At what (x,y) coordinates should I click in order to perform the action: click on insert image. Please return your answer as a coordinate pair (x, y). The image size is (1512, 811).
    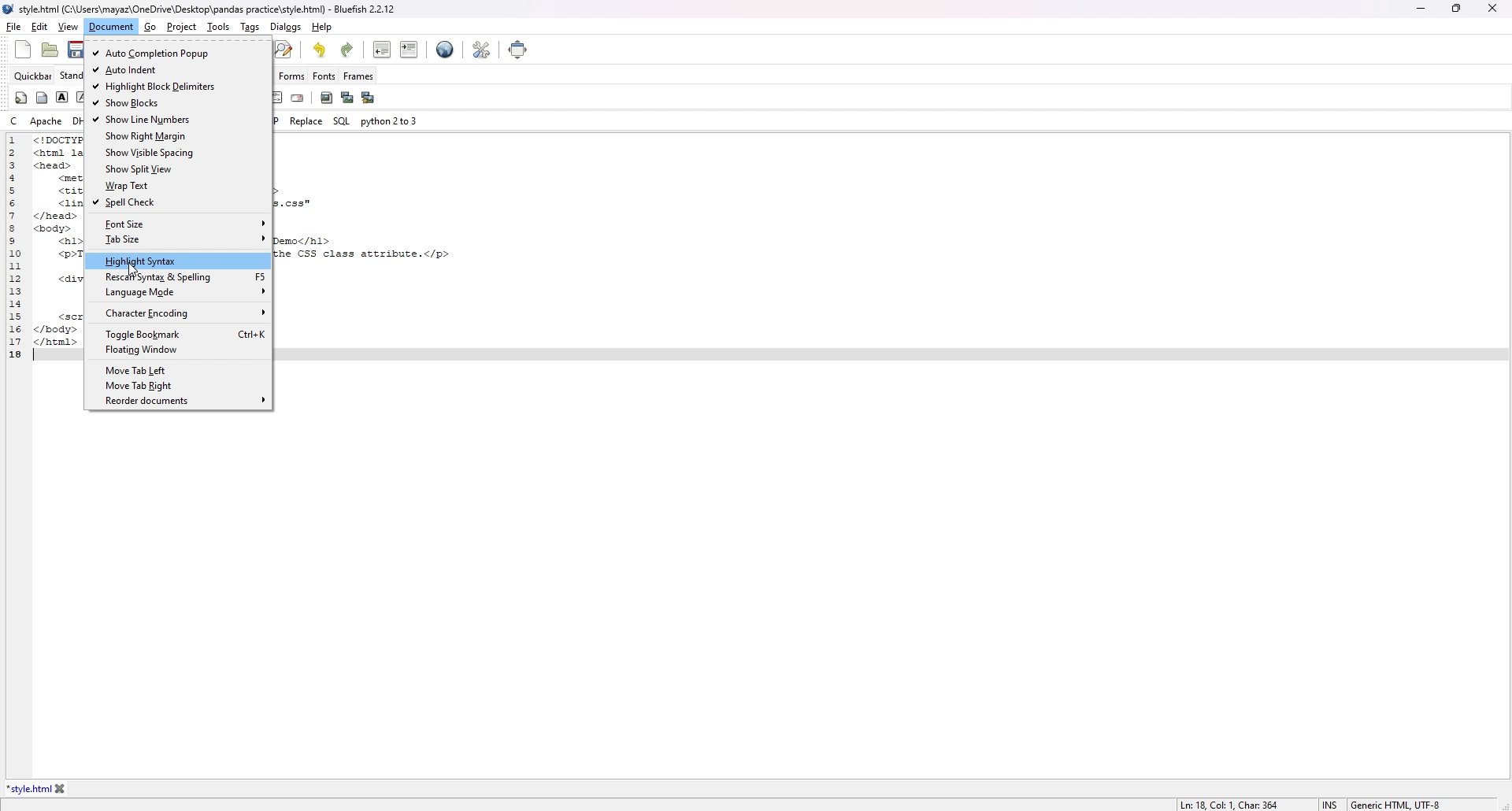
    Looking at the image, I should click on (326, 98).